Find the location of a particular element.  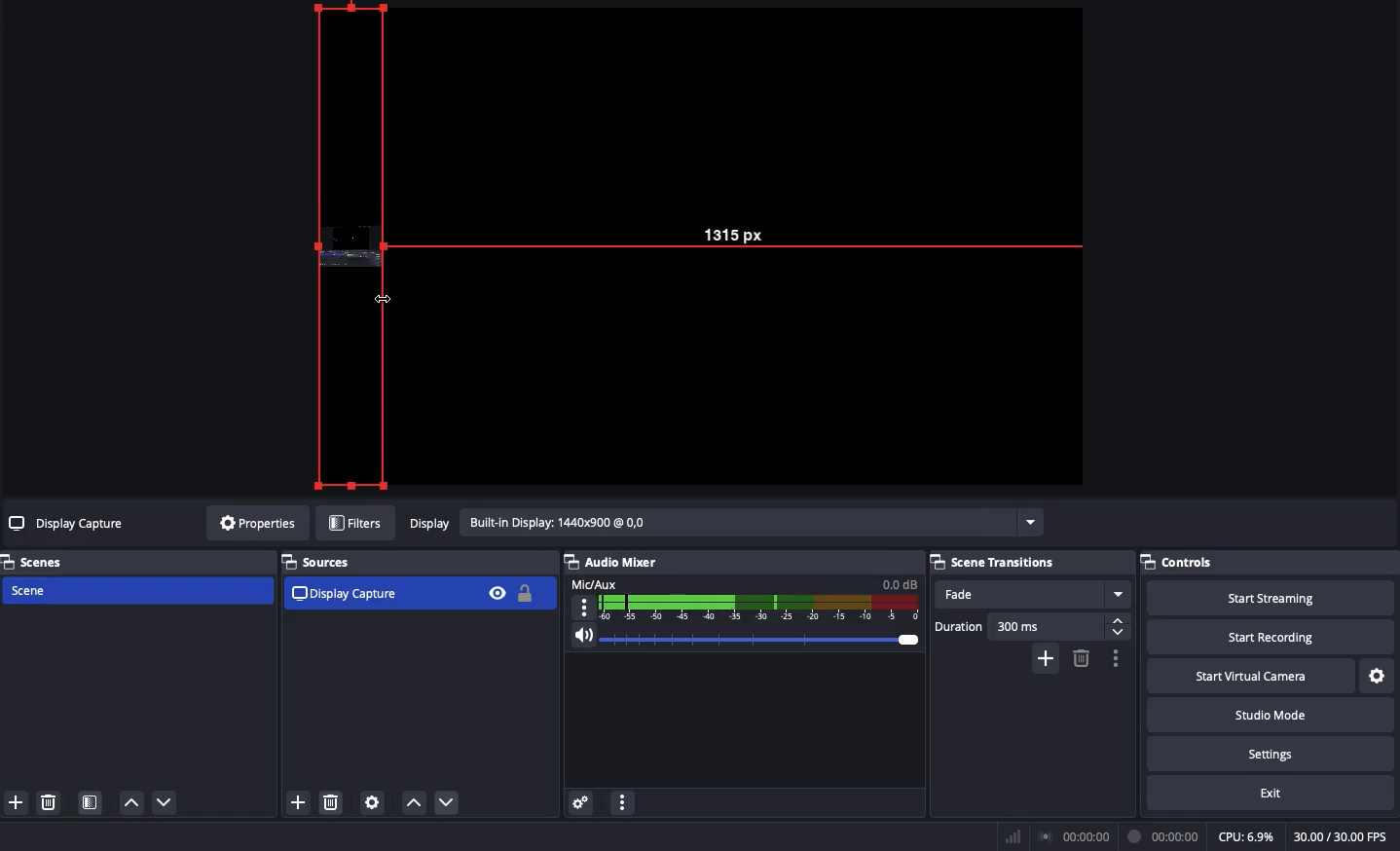

Locked is located at coordinates (523, 593).